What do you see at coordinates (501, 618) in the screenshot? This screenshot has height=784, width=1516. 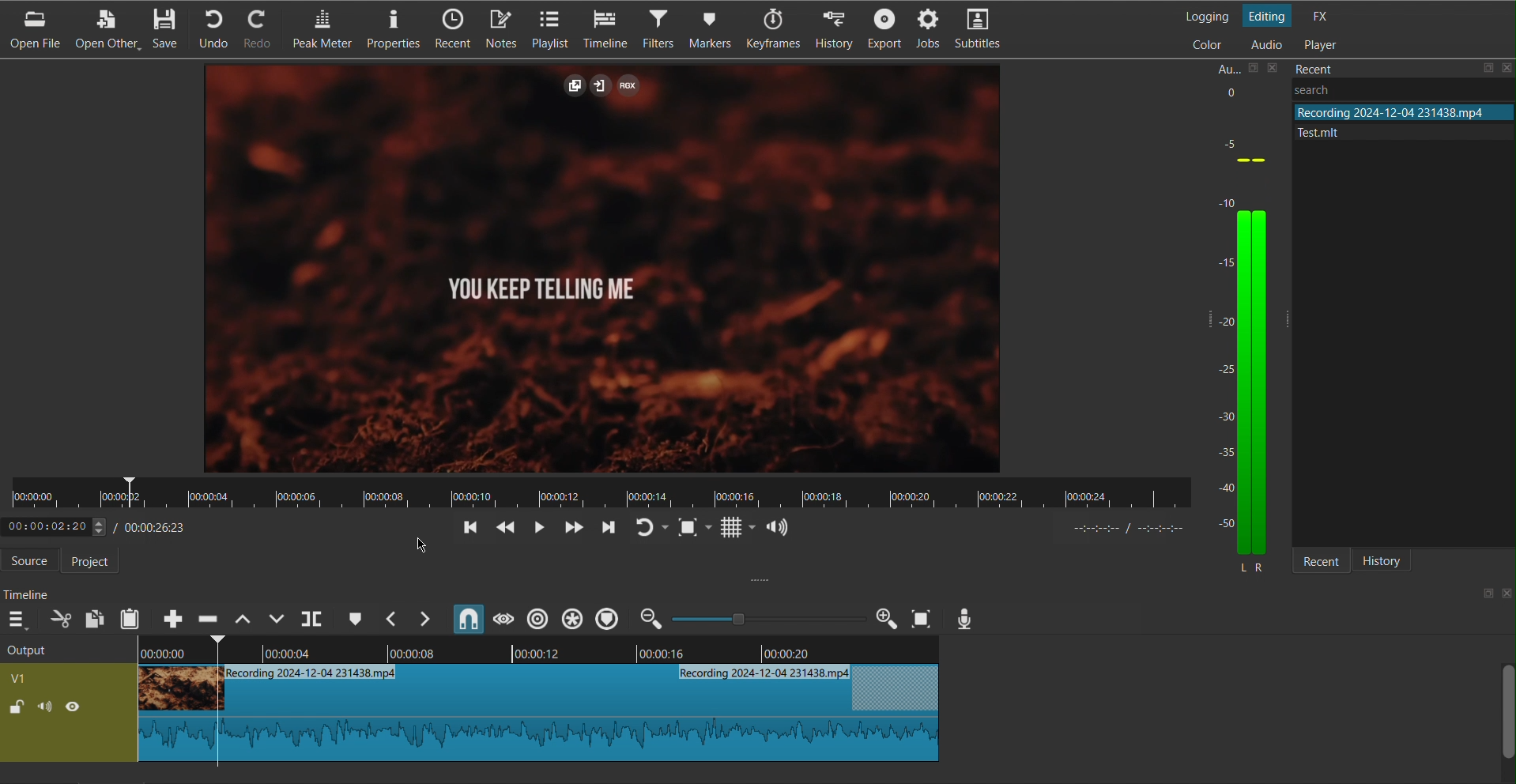 I see `Scrub While Dragging` at bounding box center [501, 618].